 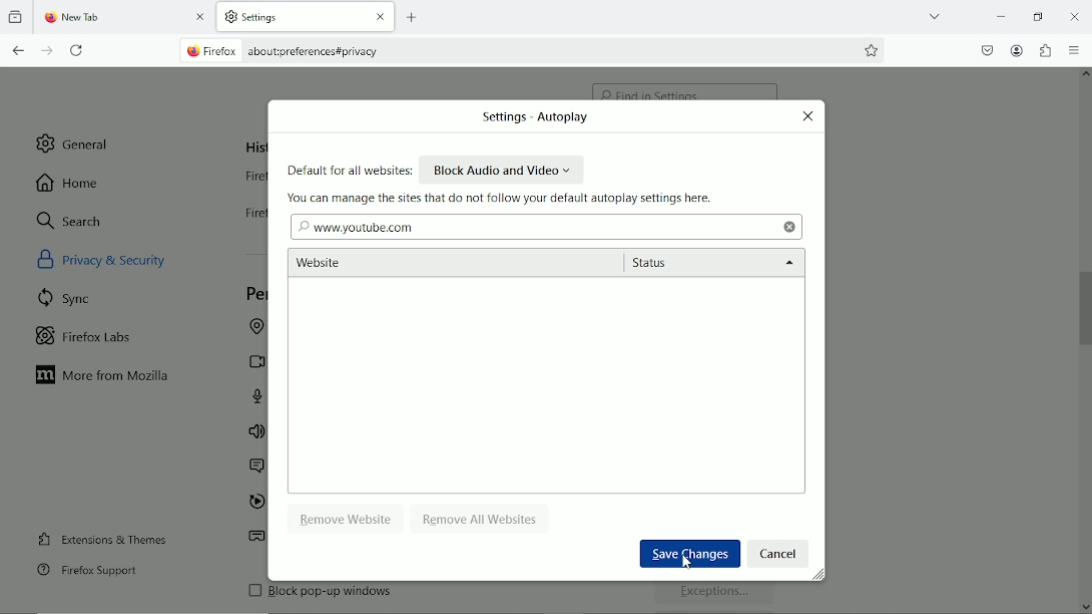 I want to click on firefox will remember you browsing, download, form and search history., so click(x=255, y=218).